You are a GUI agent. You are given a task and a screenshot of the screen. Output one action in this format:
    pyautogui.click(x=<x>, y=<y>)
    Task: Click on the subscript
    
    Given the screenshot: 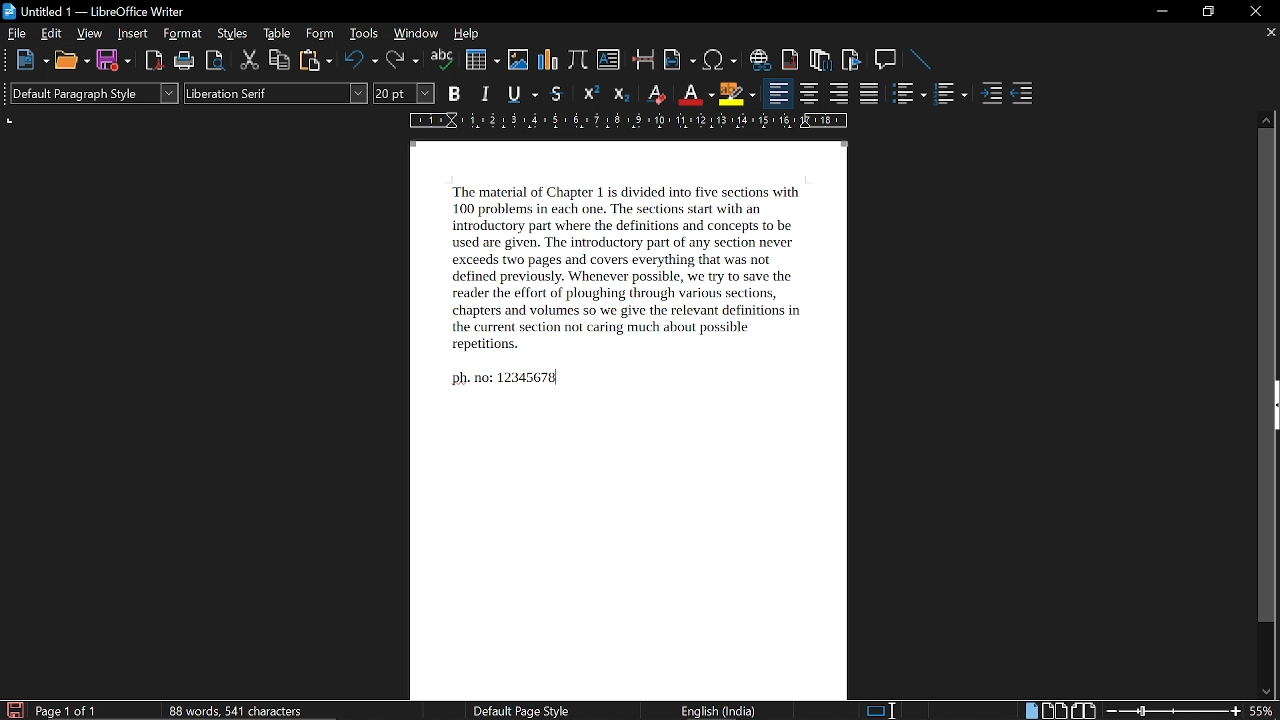 What is the action you would take?
    pyautogui.click(x=619, y=94)
    